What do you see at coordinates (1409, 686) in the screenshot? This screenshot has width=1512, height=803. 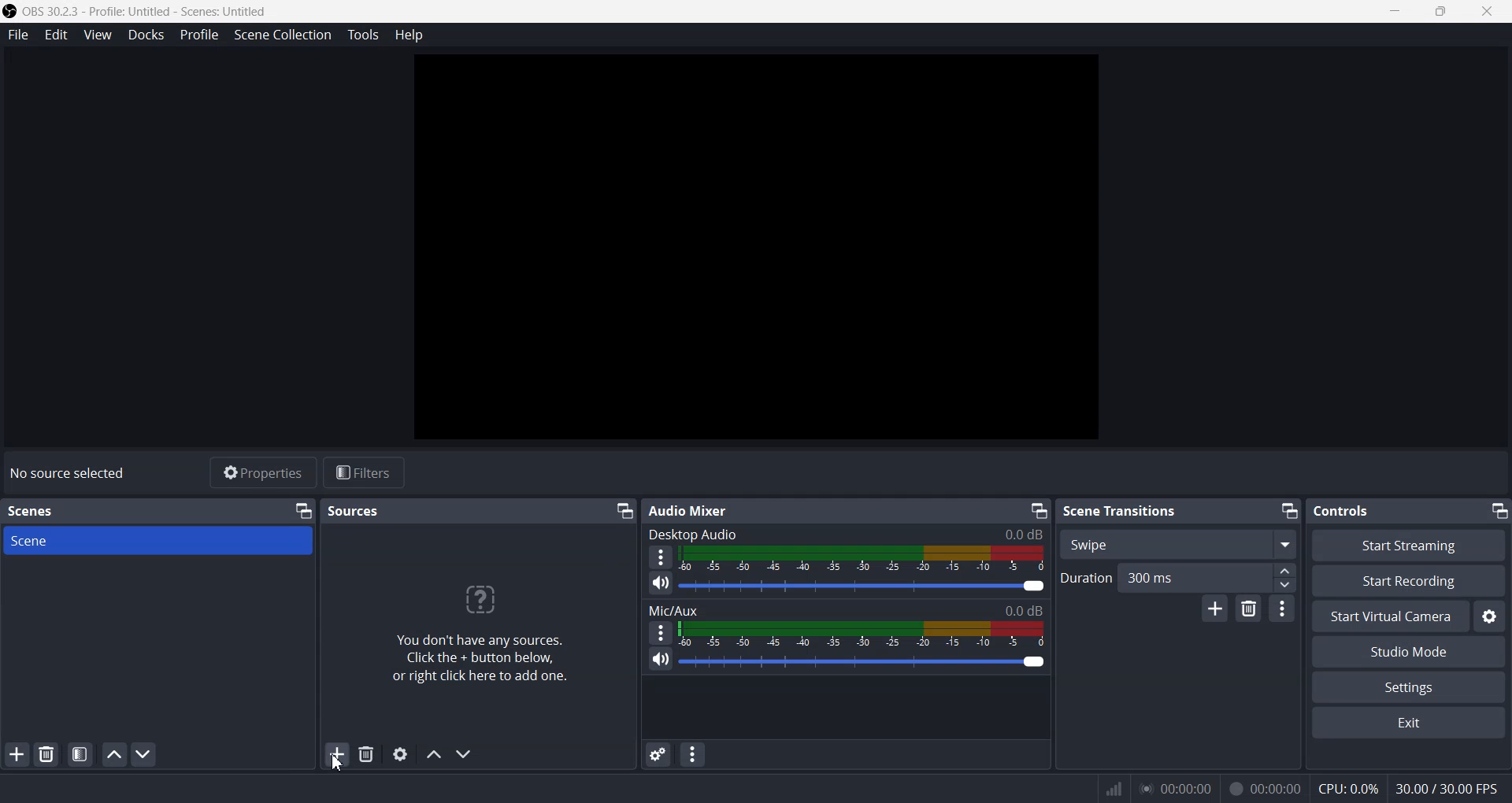 I see `Settings` at bounding box center [1409, 686].